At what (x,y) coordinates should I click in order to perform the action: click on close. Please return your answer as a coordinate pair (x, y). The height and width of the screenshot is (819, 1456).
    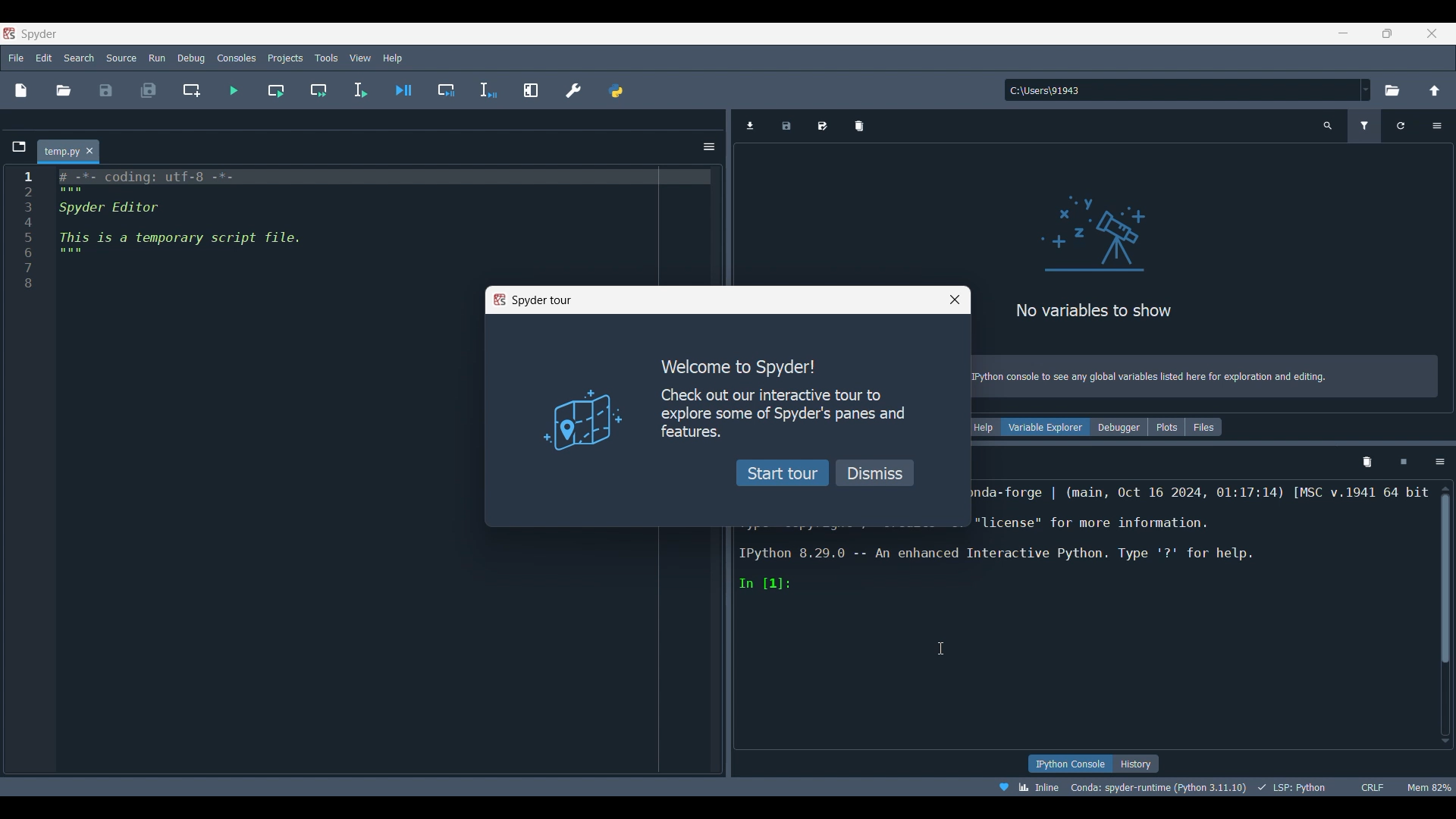
    Looking at the image, I should click on (954, 300).